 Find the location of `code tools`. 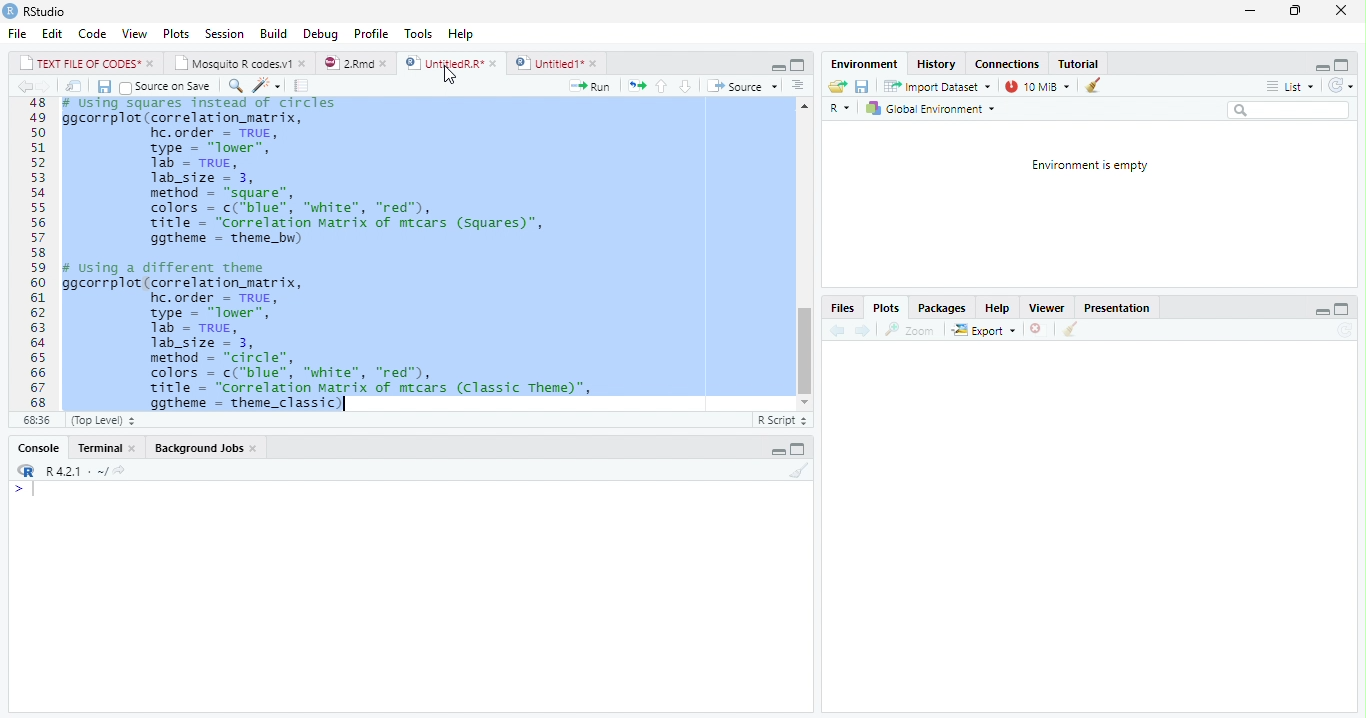

code tools is located at coordinates (266, 89).